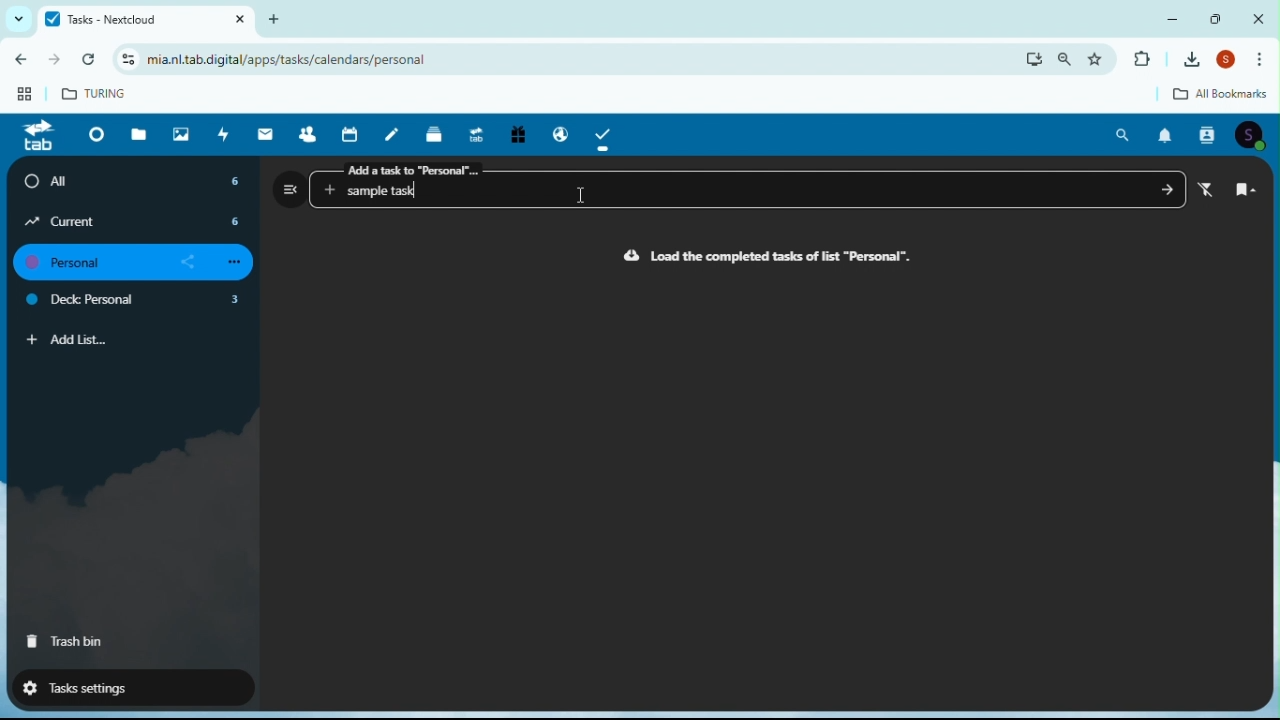 This screenshot has width=1280, height=720. Describe the element at coordinates (768, 257) in the screenshot. I see `Load the completed tasks of "Personal".` at that location.